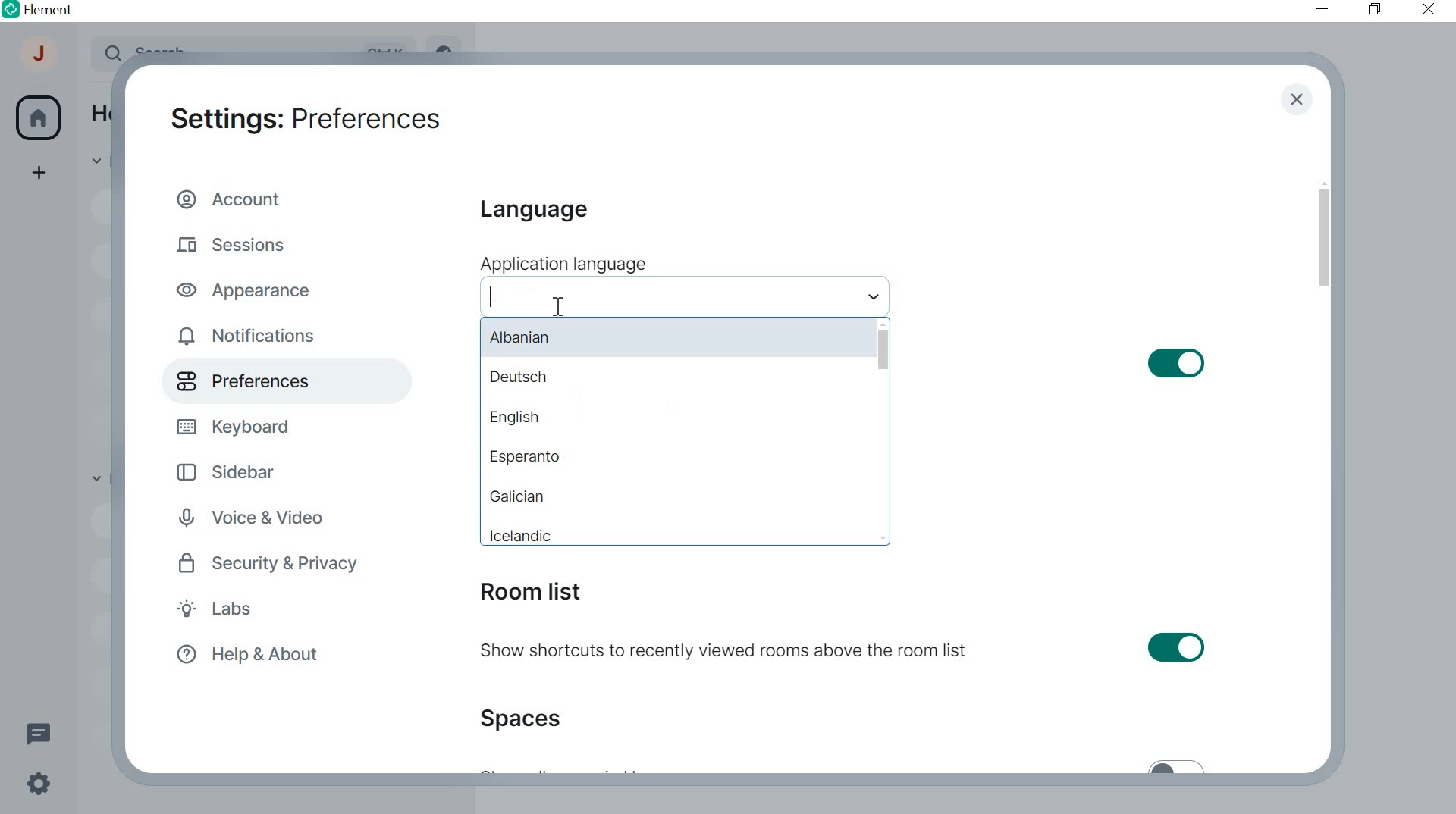 The image size is (1456, 814). Describe the element at coordinates (558, 306) in the screenshot. I see `CURSOR` at that location.